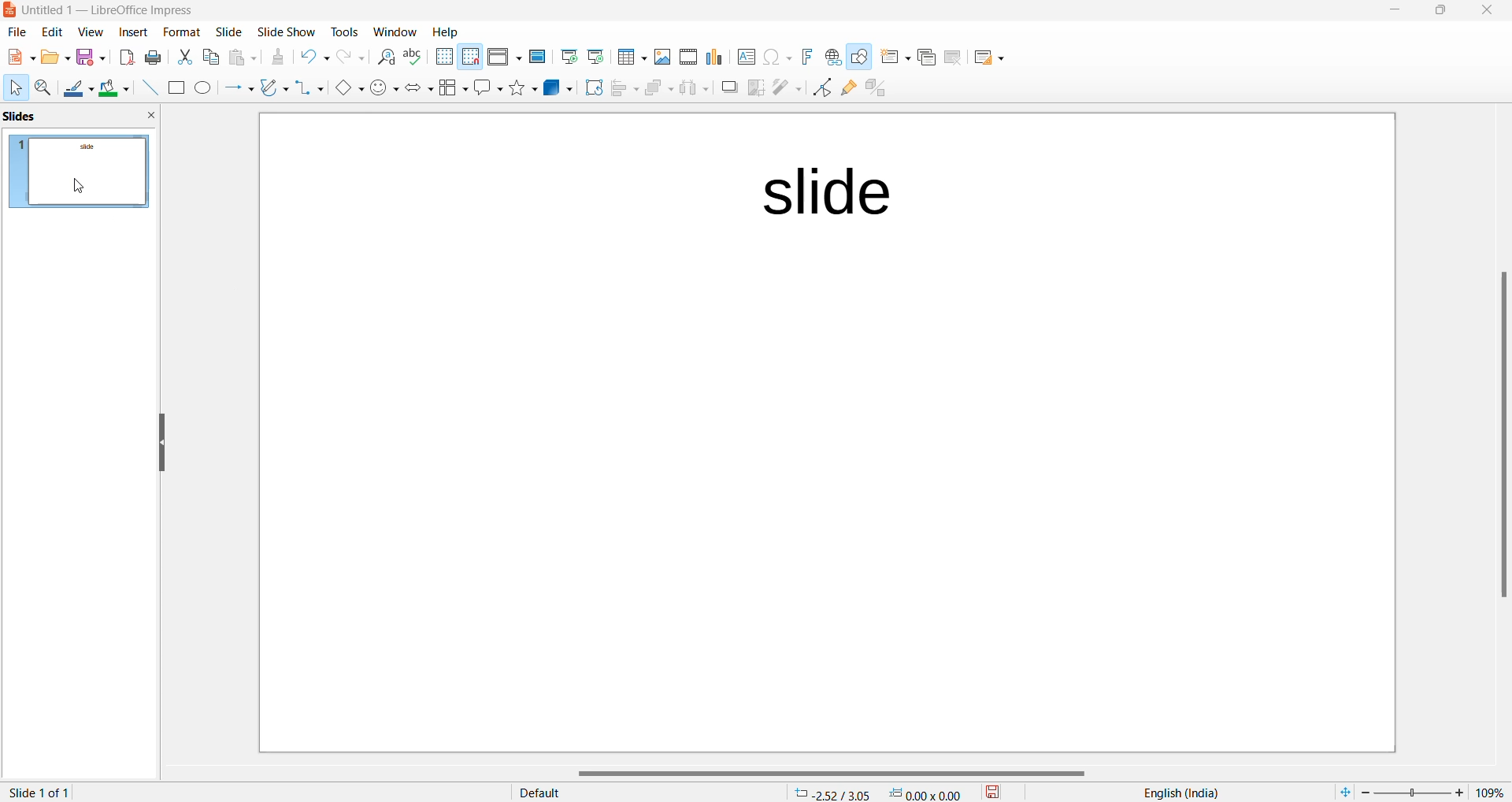 This screenshot has height=802, width=1512. I want to click on text language, so click(1176, 793).